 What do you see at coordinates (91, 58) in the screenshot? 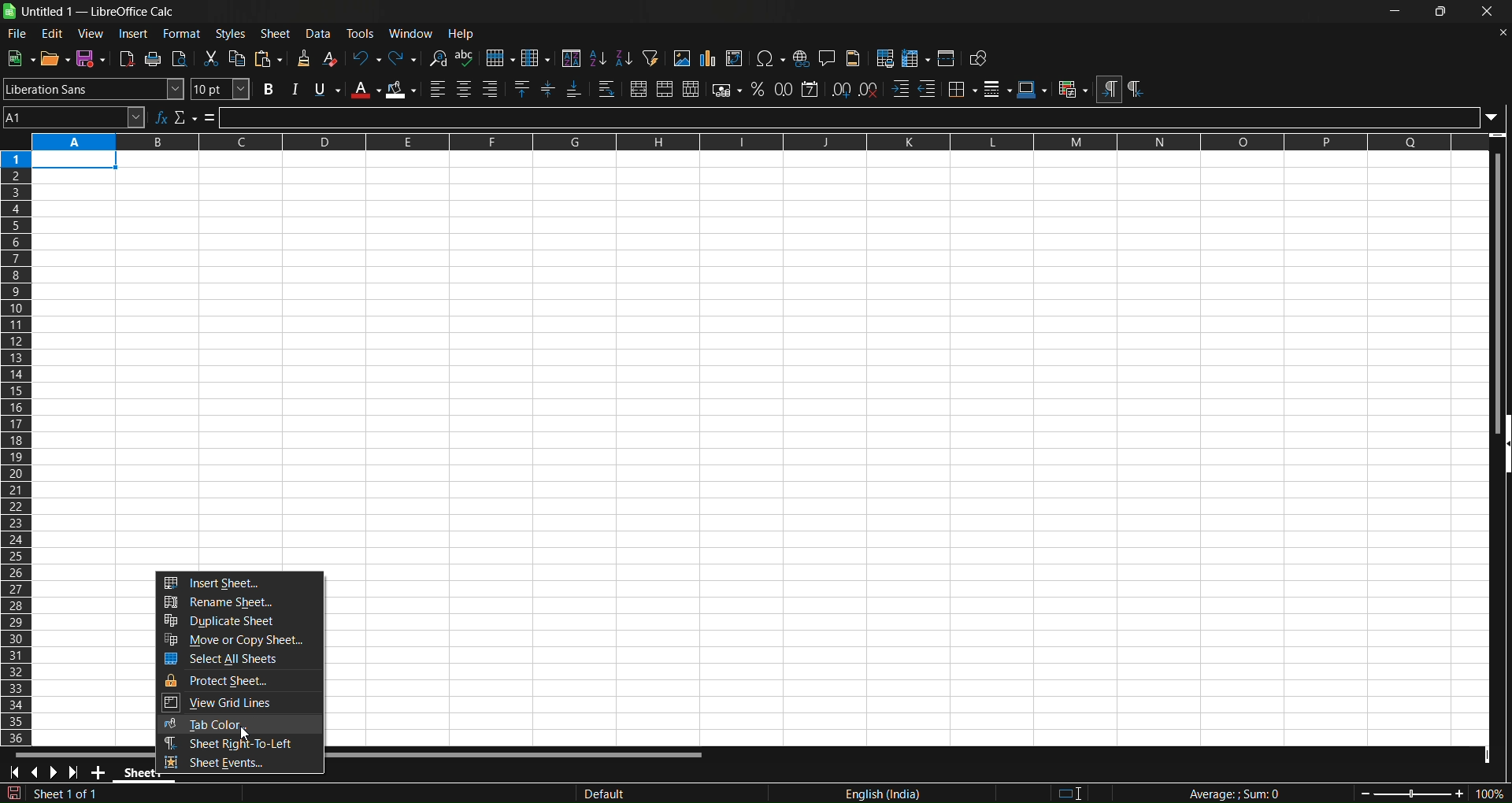
I see `save` at bounding box center [91, 58].